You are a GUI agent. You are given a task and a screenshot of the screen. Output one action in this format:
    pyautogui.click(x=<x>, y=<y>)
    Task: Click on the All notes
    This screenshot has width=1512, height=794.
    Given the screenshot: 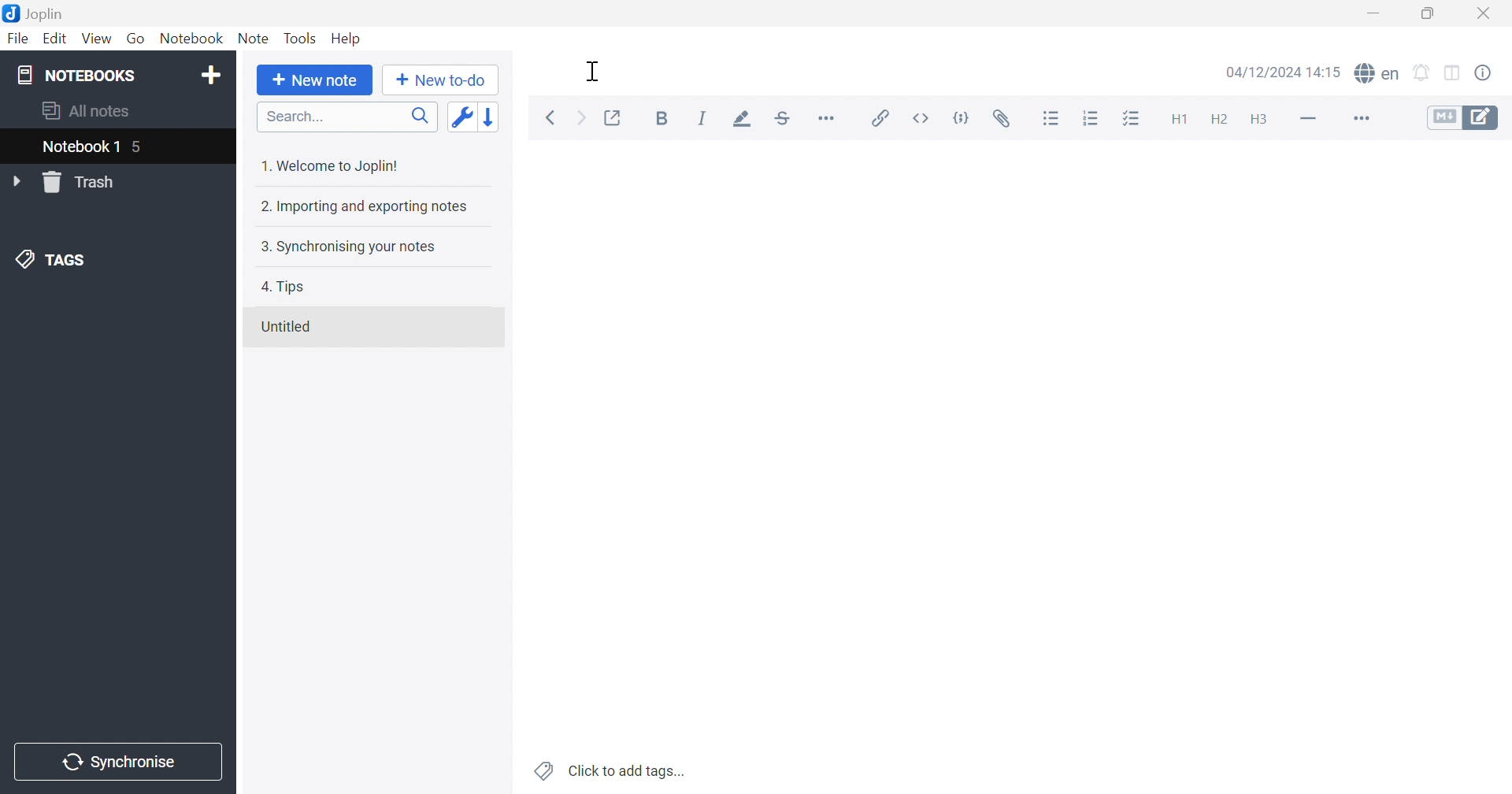 What is the action you would take?
    pyautogui.click(x=87, y=109)
    